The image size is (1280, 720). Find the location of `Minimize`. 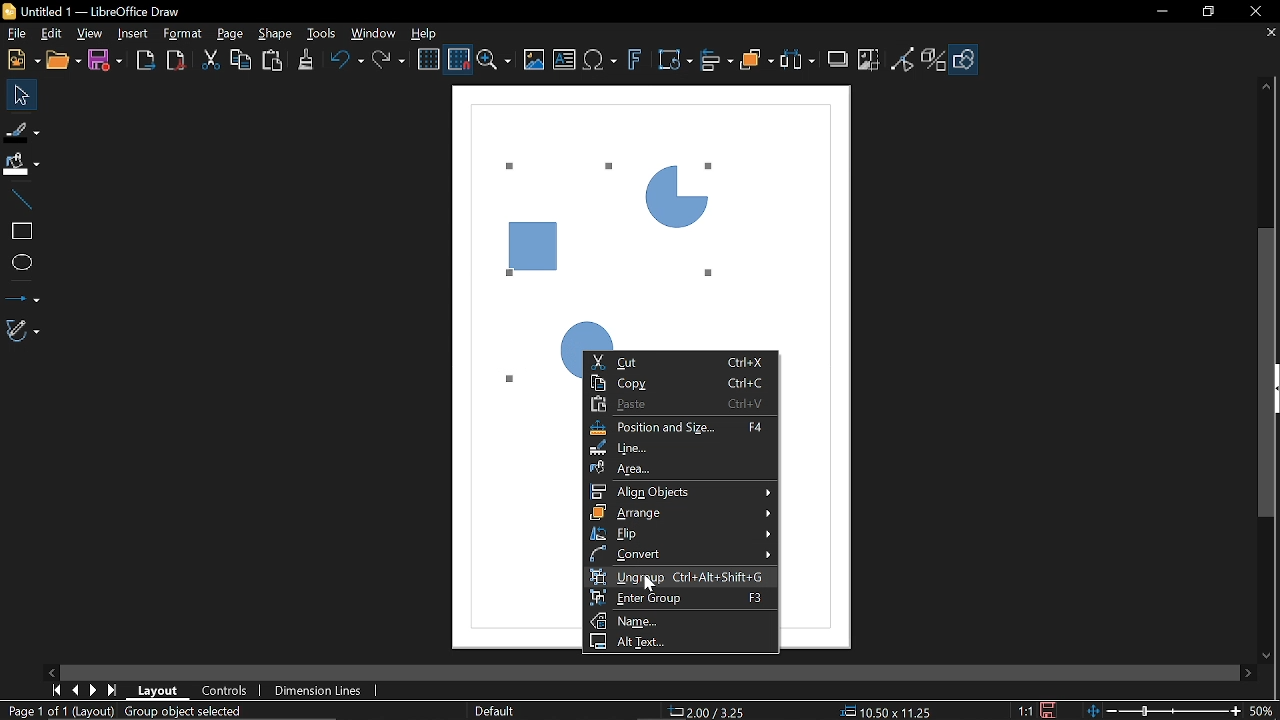

Minimize is located at coordinates (1157, 12).